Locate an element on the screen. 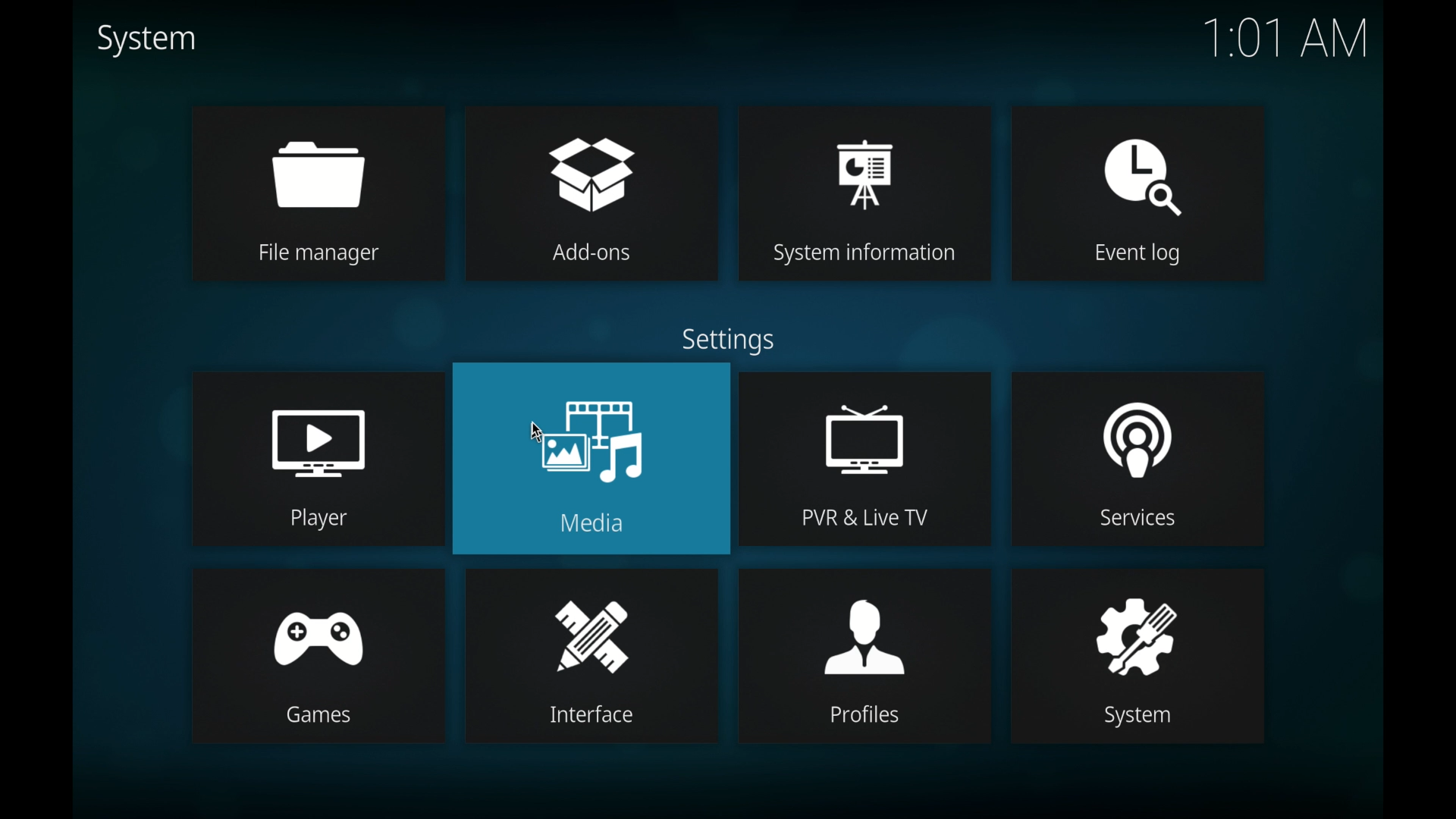  games is located at coordinates (322, 628).